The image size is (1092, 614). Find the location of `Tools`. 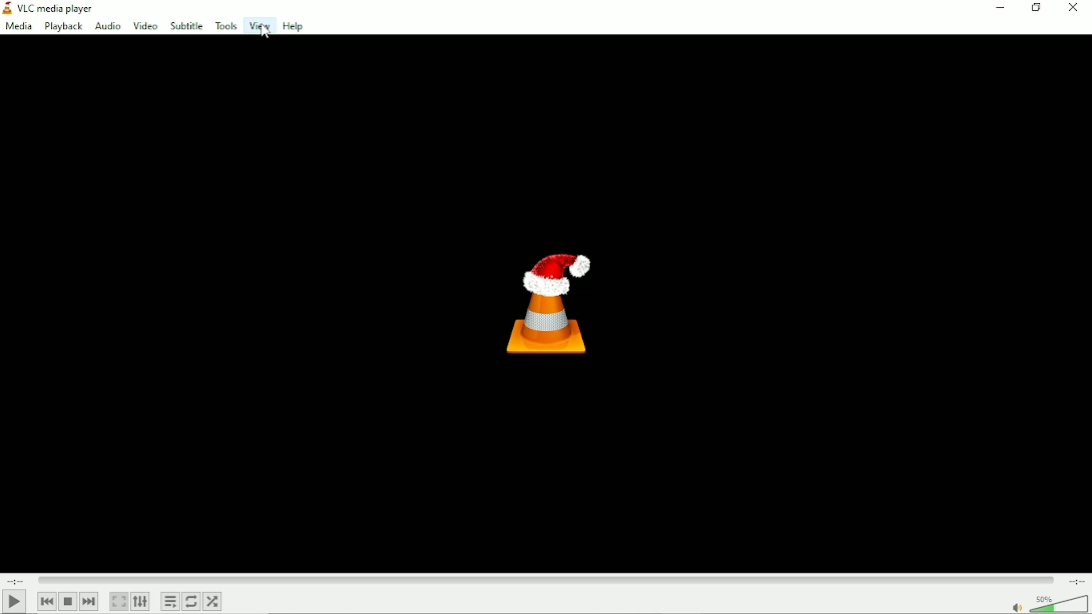

Tools is located at coordinates (224, 25).